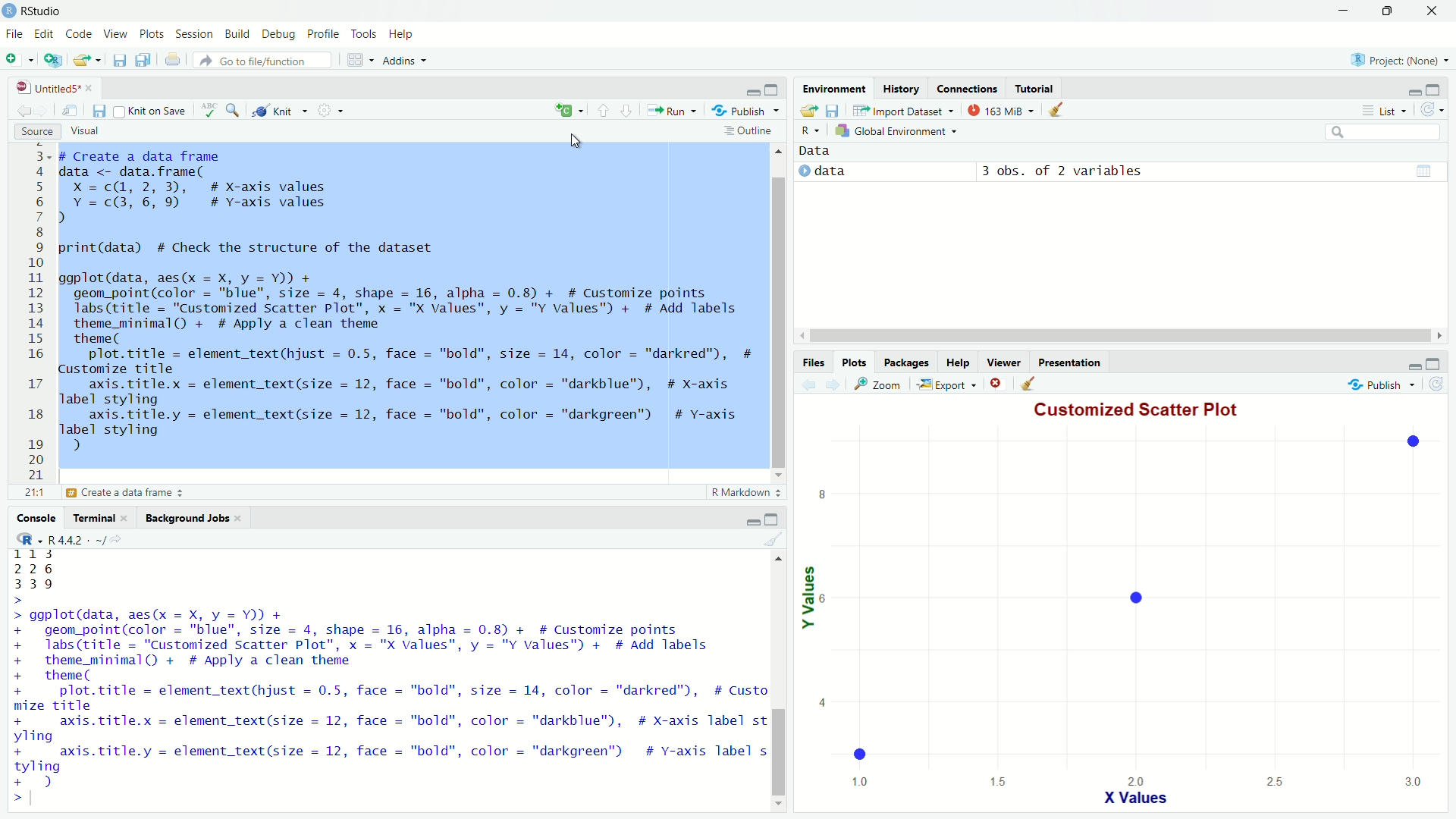  I want to click on Create a project, so click(55, 60).